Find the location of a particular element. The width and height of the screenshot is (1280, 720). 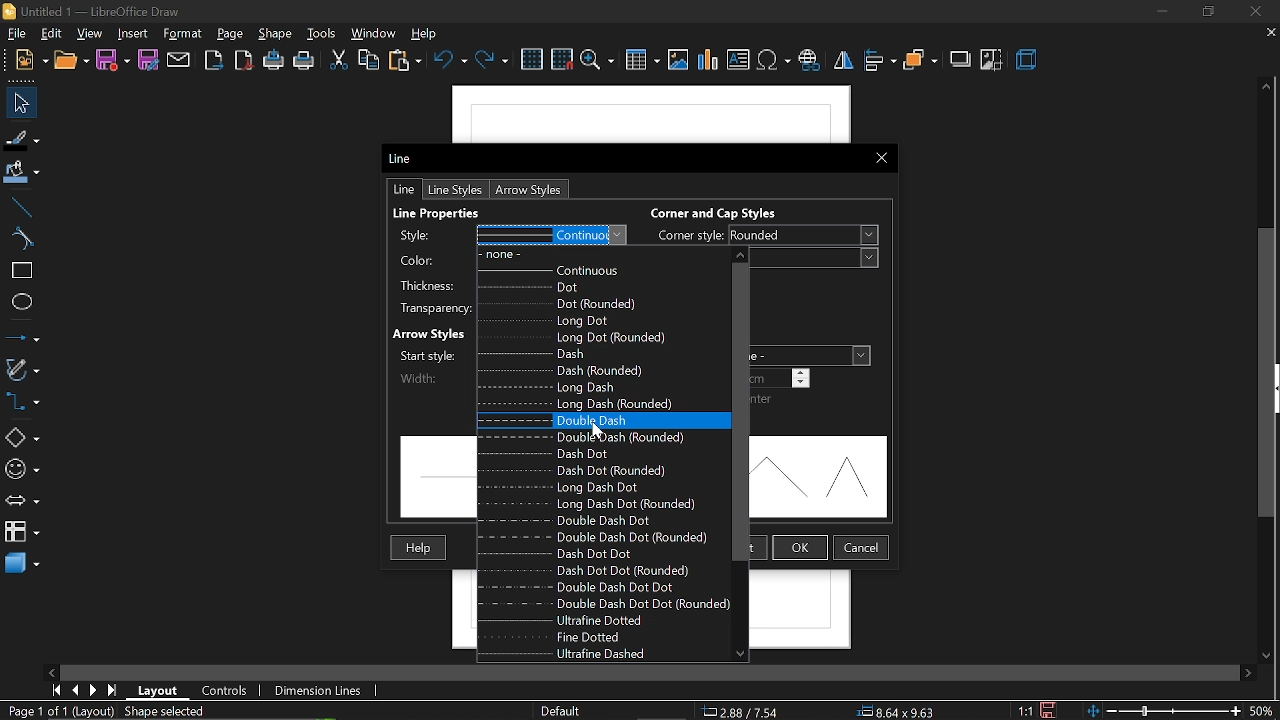

Double dash (Rounded) is located at coordinates (598, 437).